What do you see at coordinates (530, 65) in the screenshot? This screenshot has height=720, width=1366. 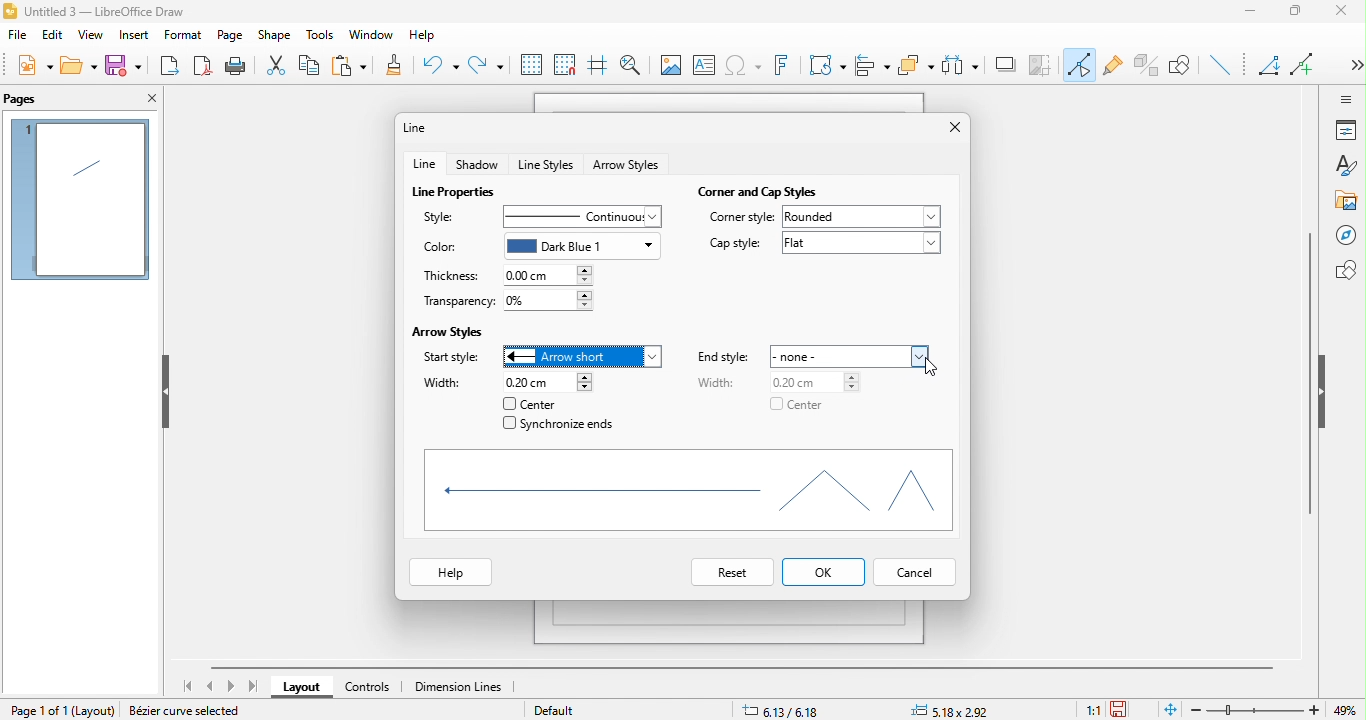 I see `display to grid` at bounding box center [530, 65].